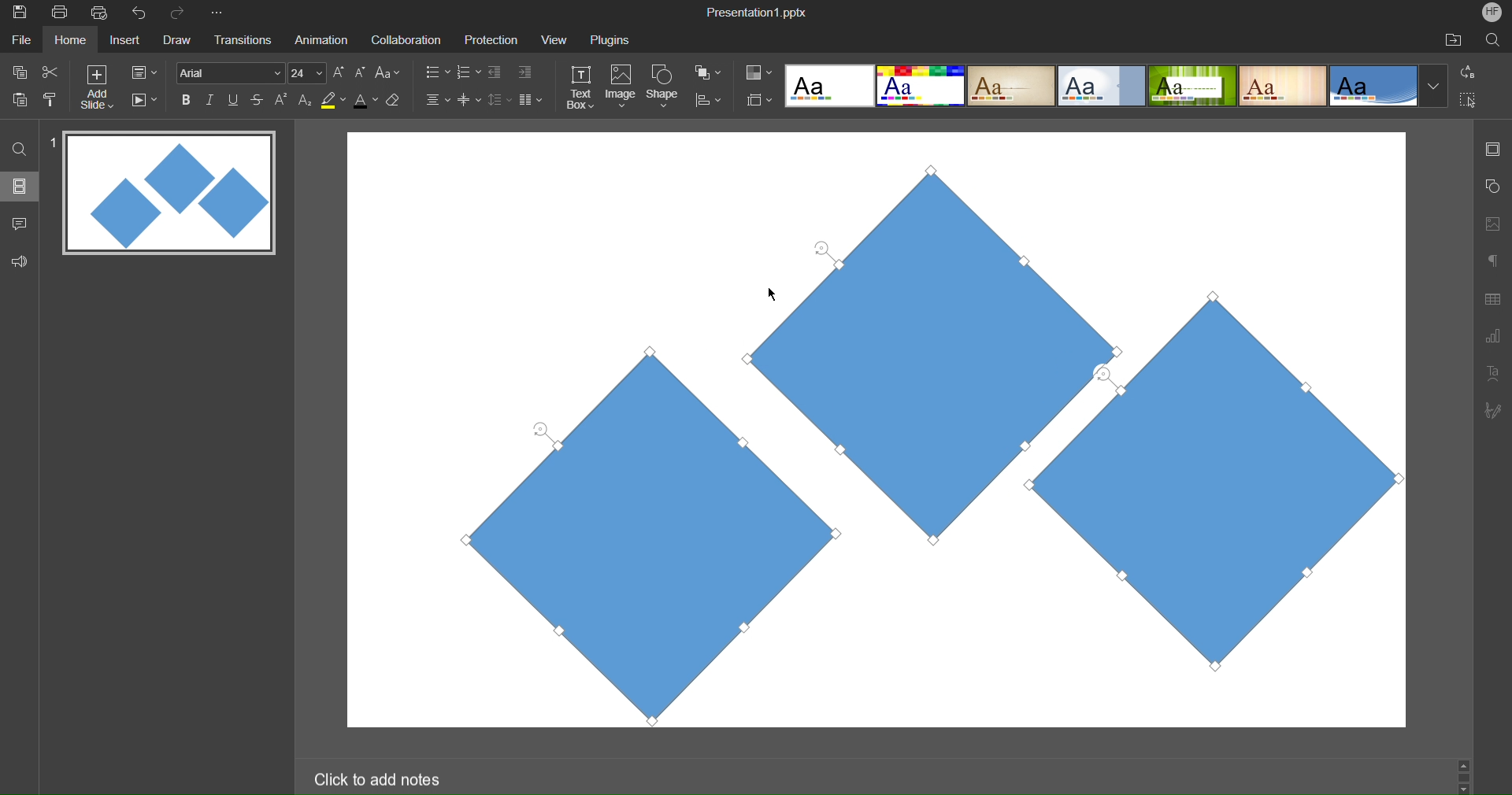  I want to click on Number List, so click(467, 74).